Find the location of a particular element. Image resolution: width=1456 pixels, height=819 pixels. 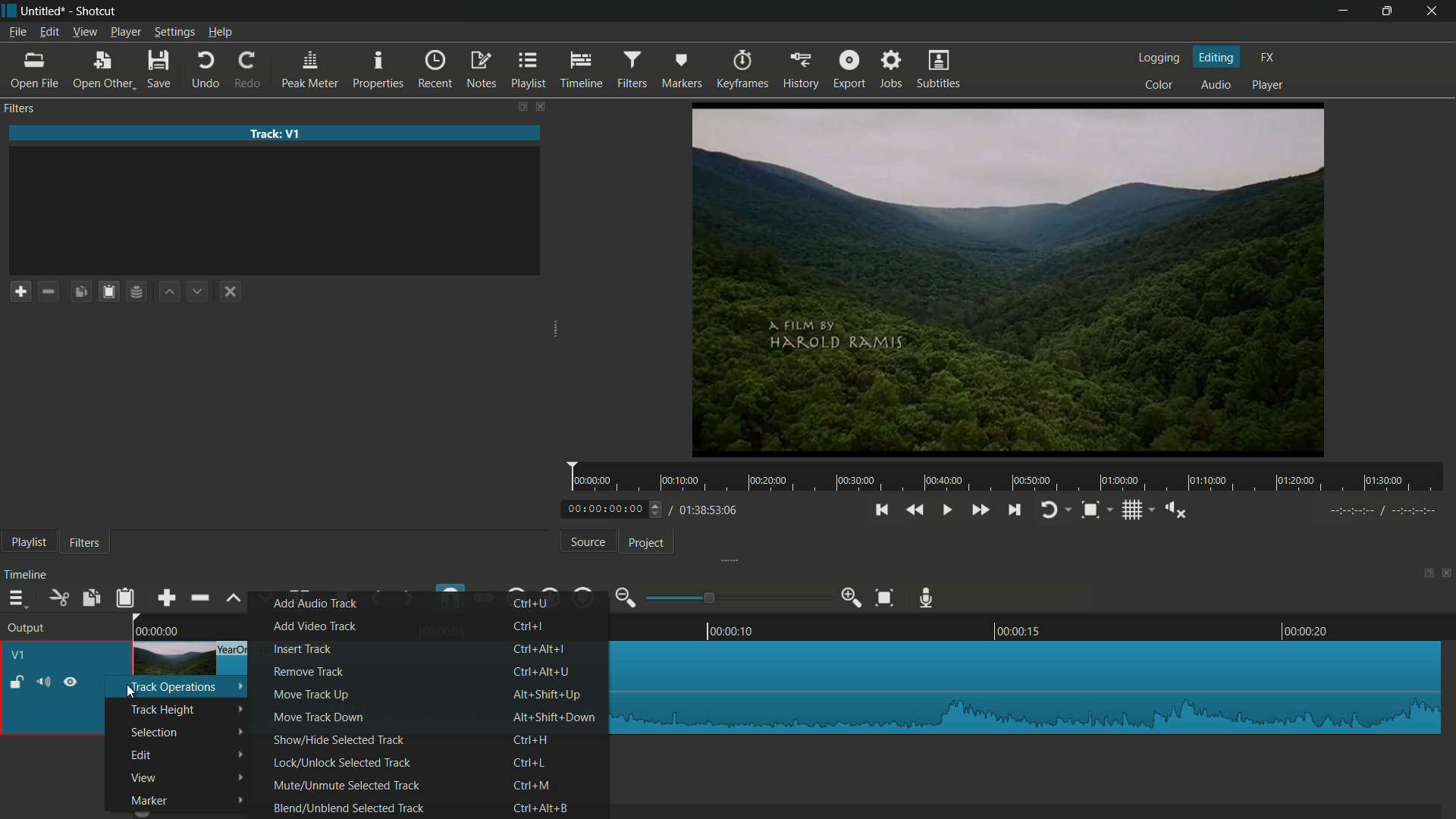

maximize is located at coordinates (1387, 11).